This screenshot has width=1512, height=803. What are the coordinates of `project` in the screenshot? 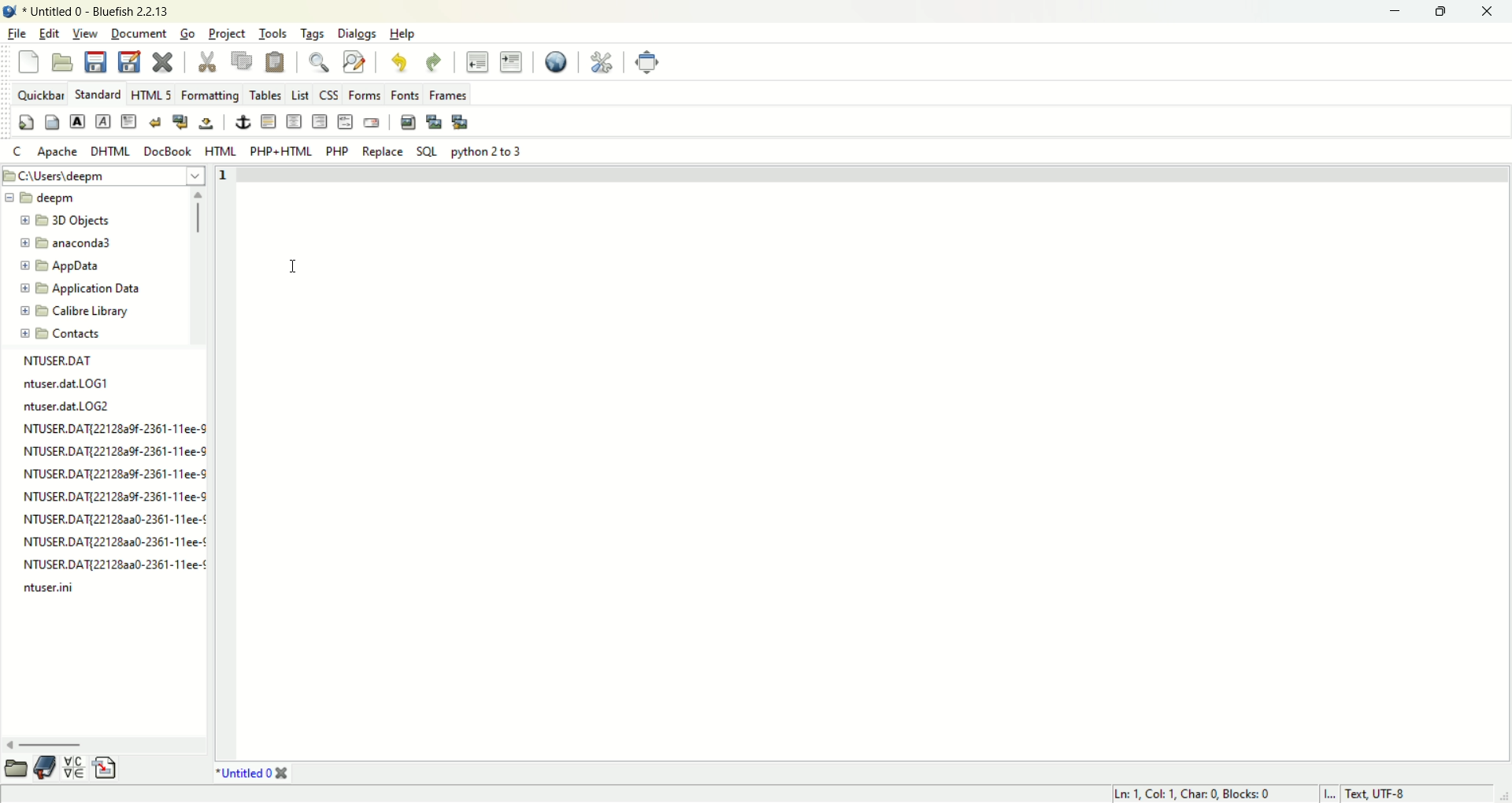 It's located at (229, 35).